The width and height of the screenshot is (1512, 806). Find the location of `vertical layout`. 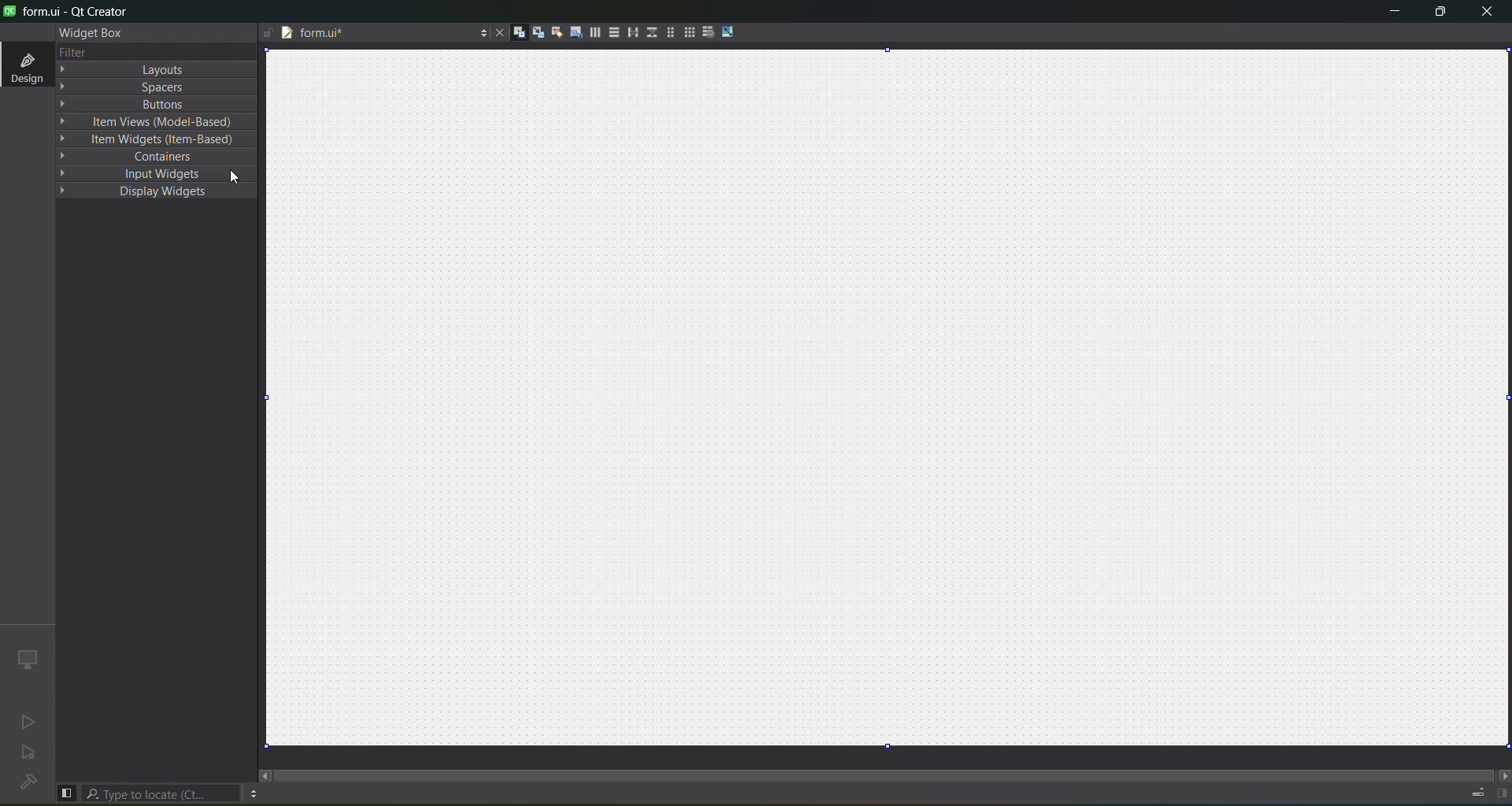

vertical layout is located at coordinates (612, 32).